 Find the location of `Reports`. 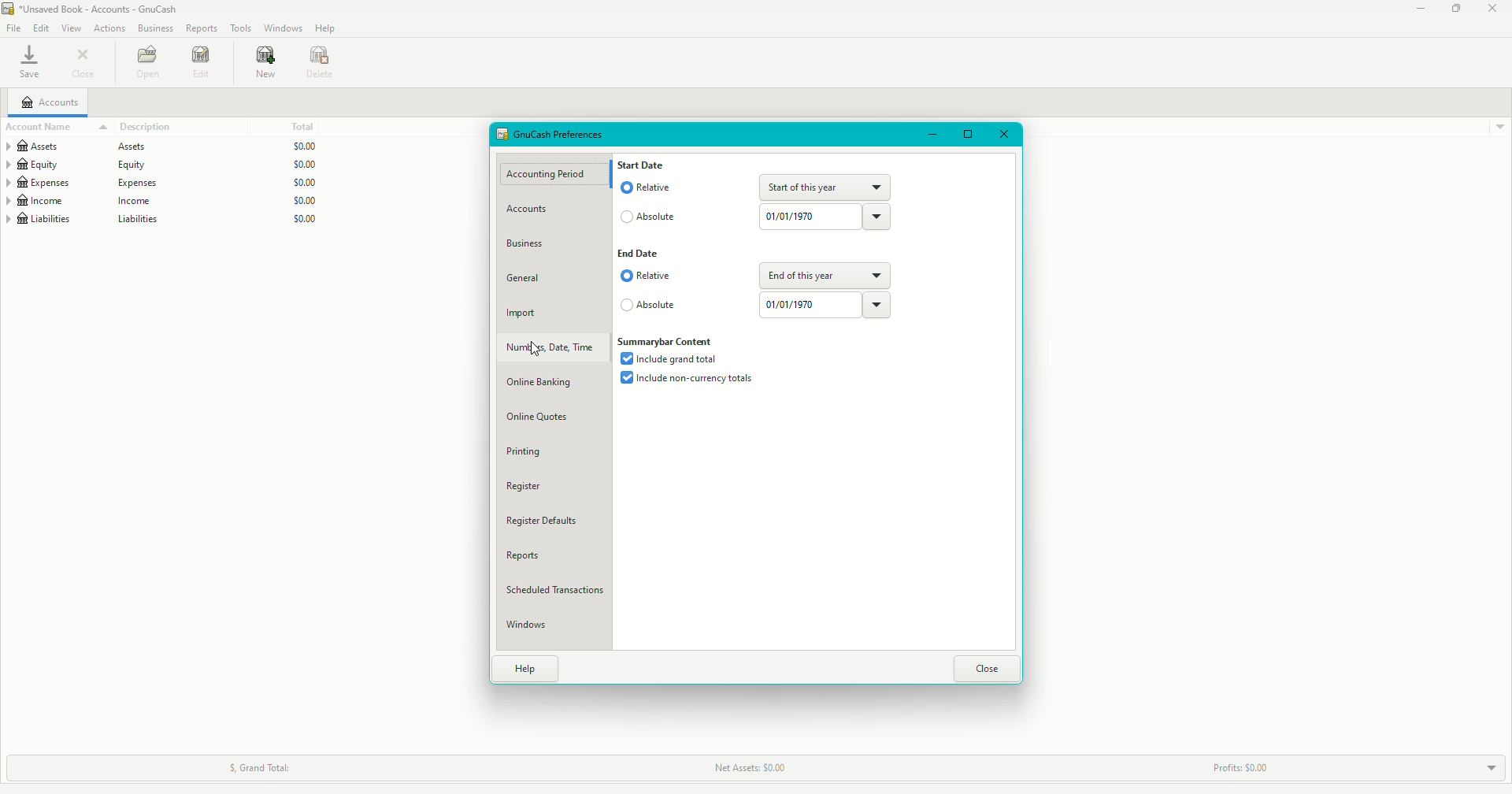

Reports is located at coordinates (528, 557).